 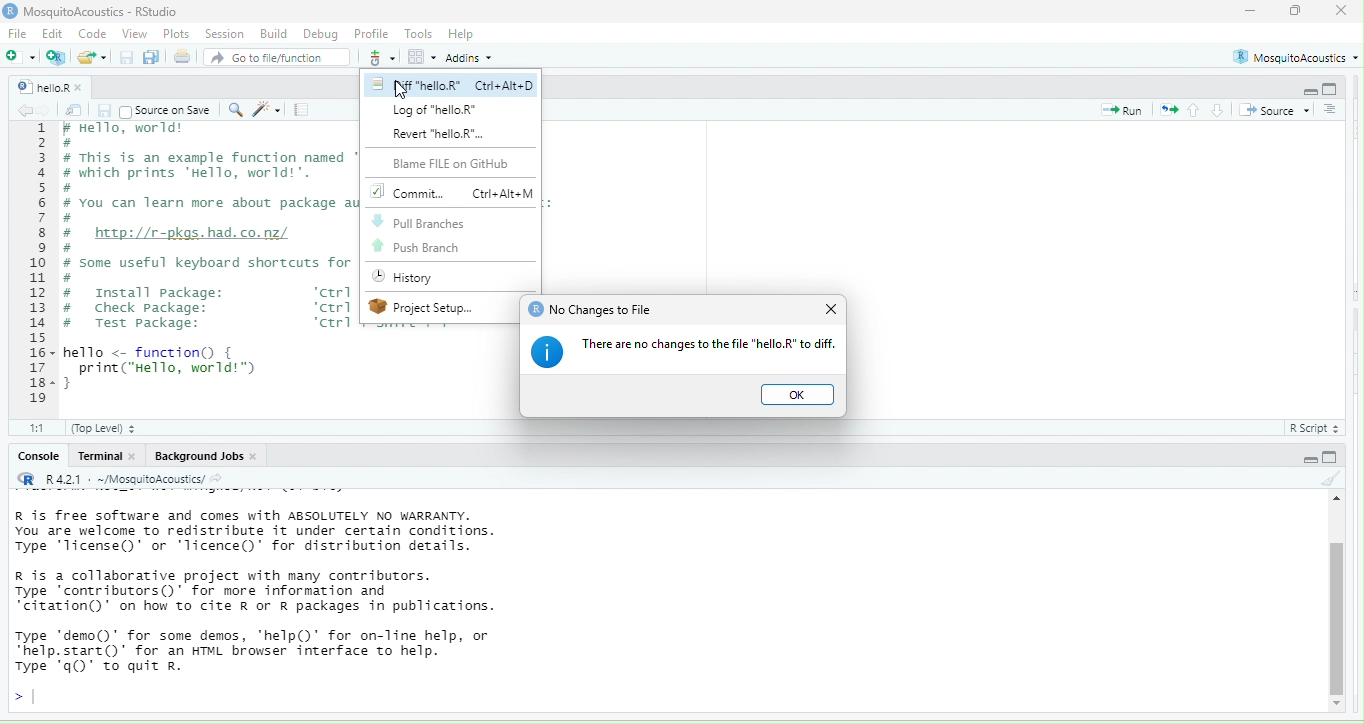 I want to click on hide console, so click(x=1335, y=89).